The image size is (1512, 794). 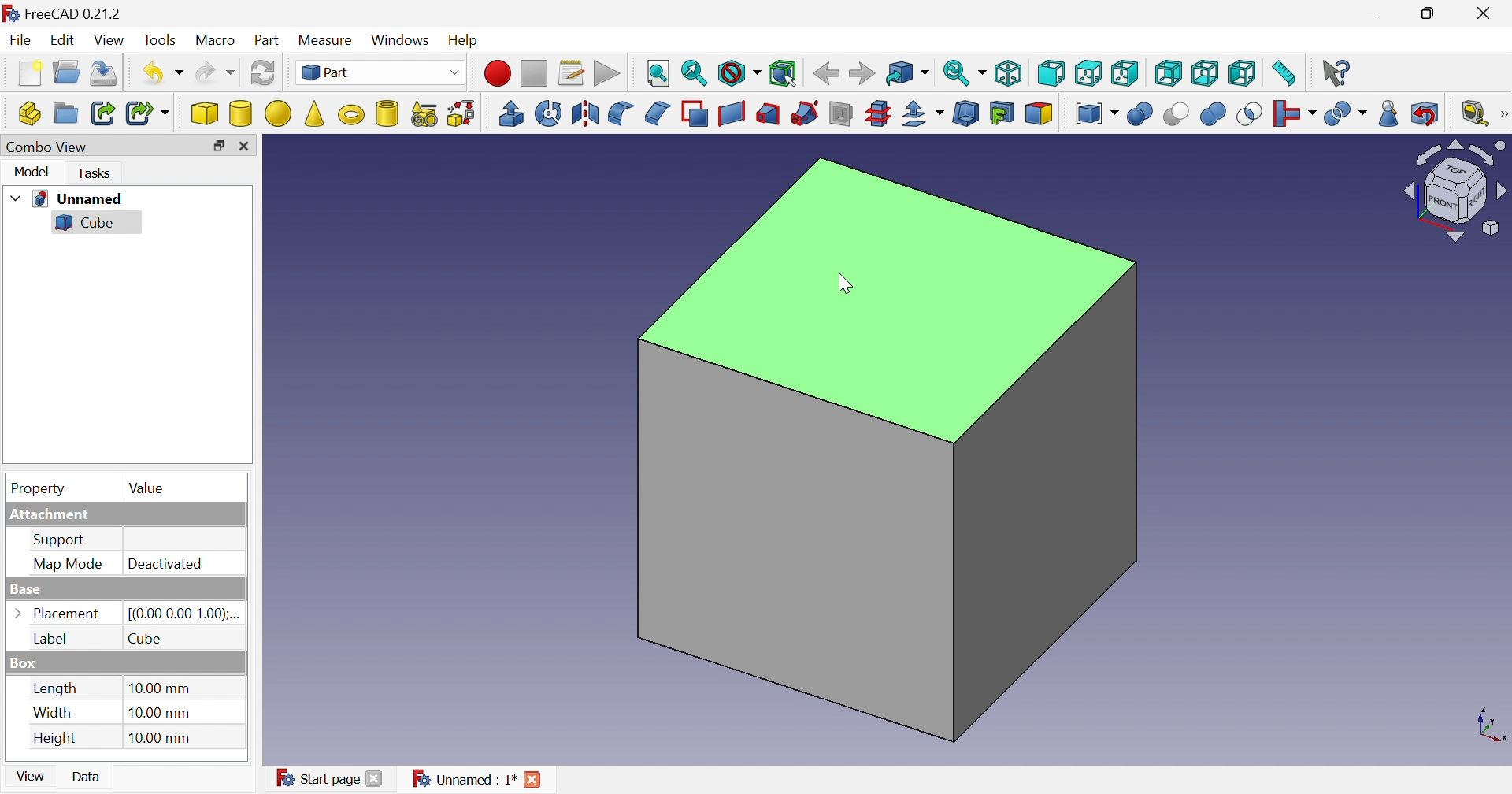 What do you see at coordinates (100, 113) in the screenshot?
I see `Make link` at bounding box center [100, 113].